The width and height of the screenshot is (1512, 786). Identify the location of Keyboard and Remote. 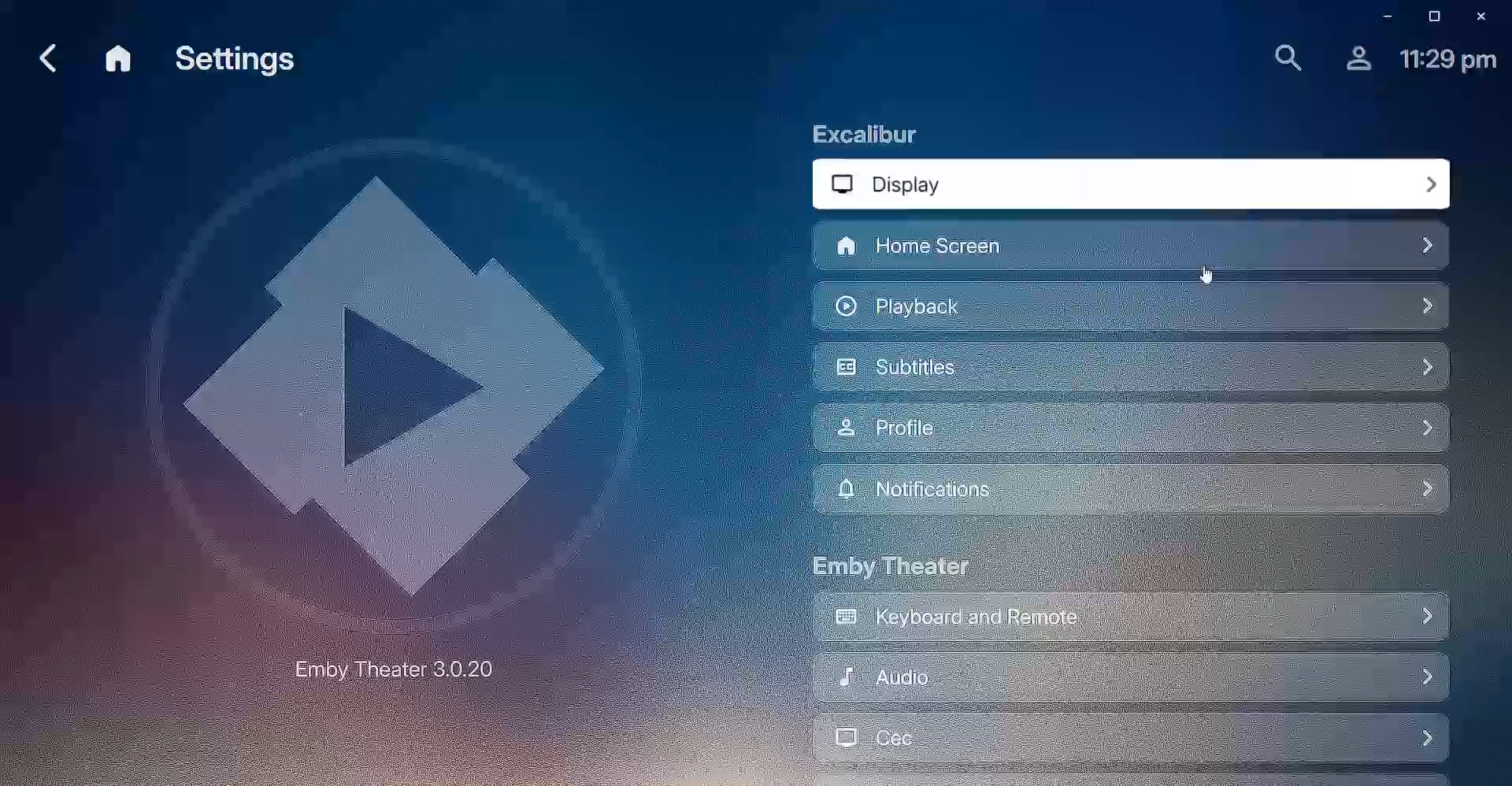
(1134, 618).